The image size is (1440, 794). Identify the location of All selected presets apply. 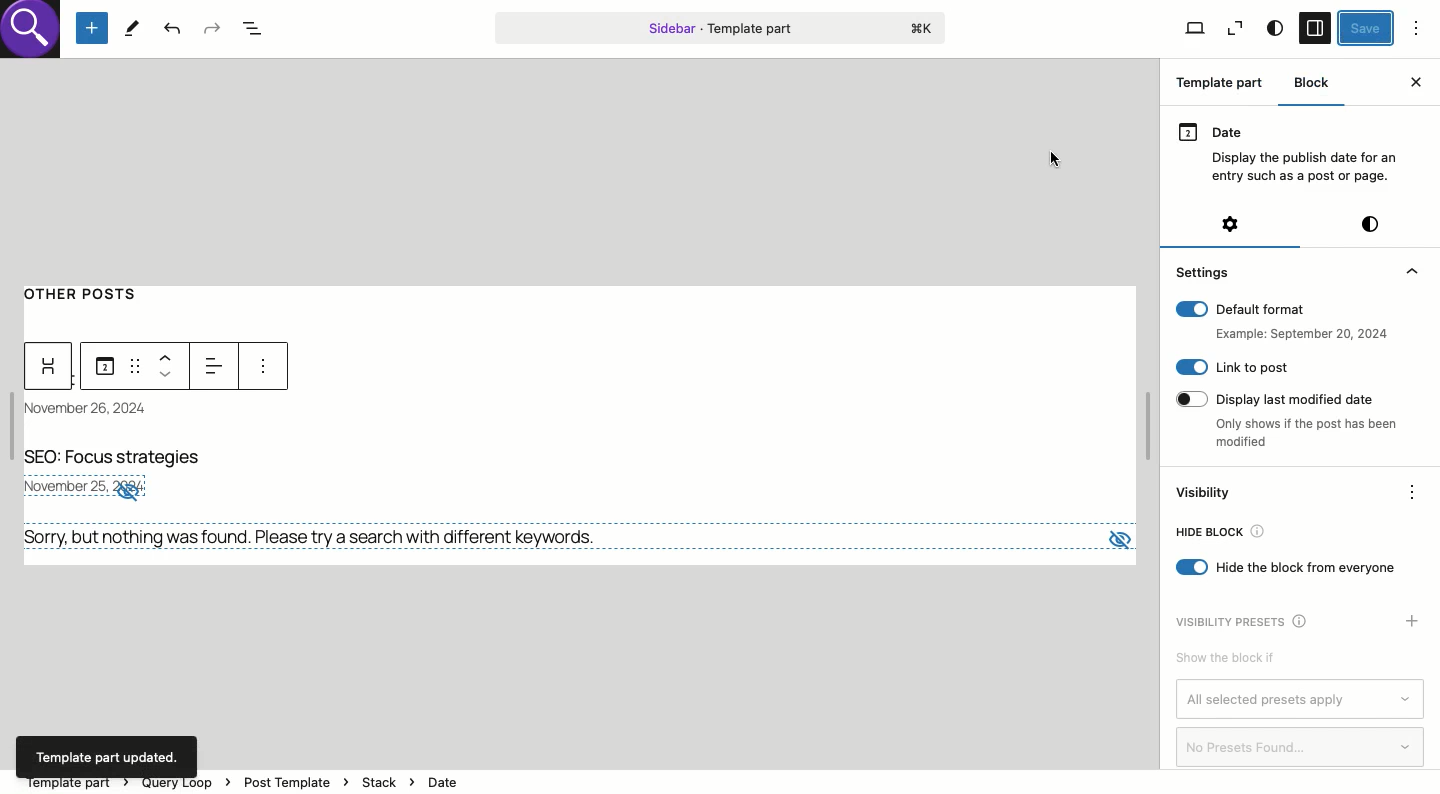
(1301, 700).